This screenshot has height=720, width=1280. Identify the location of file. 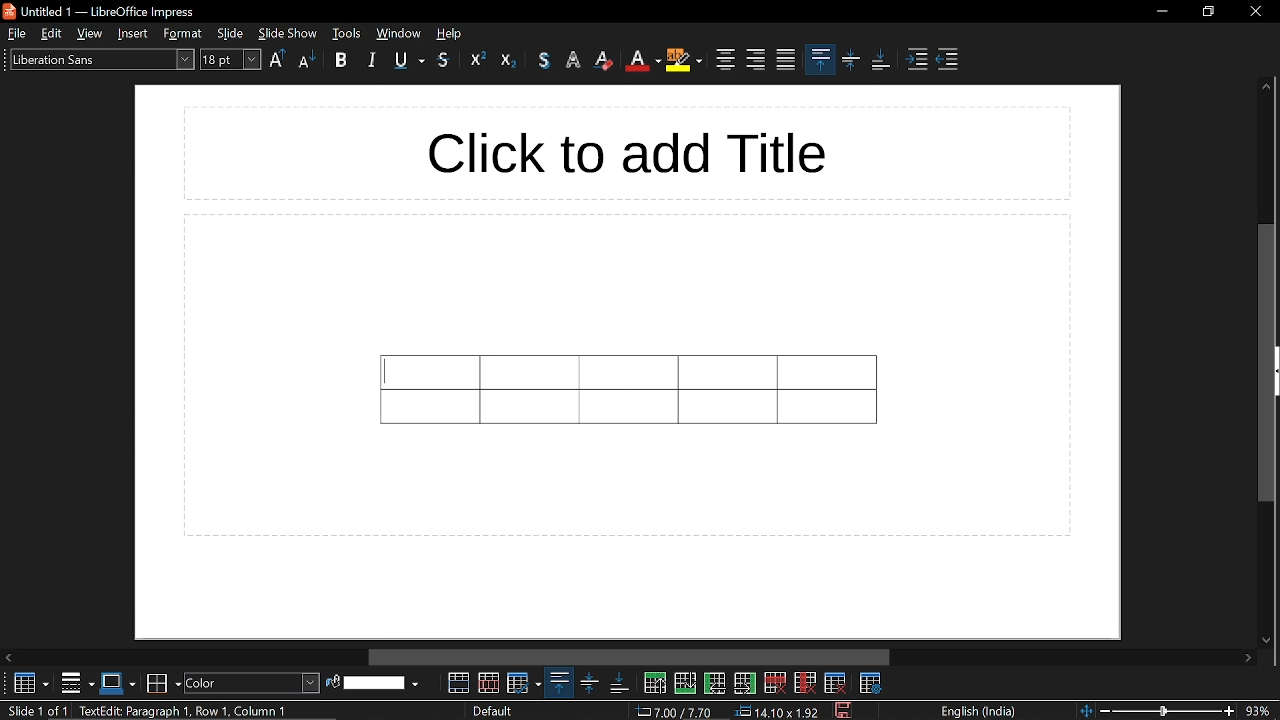
(17, 34).